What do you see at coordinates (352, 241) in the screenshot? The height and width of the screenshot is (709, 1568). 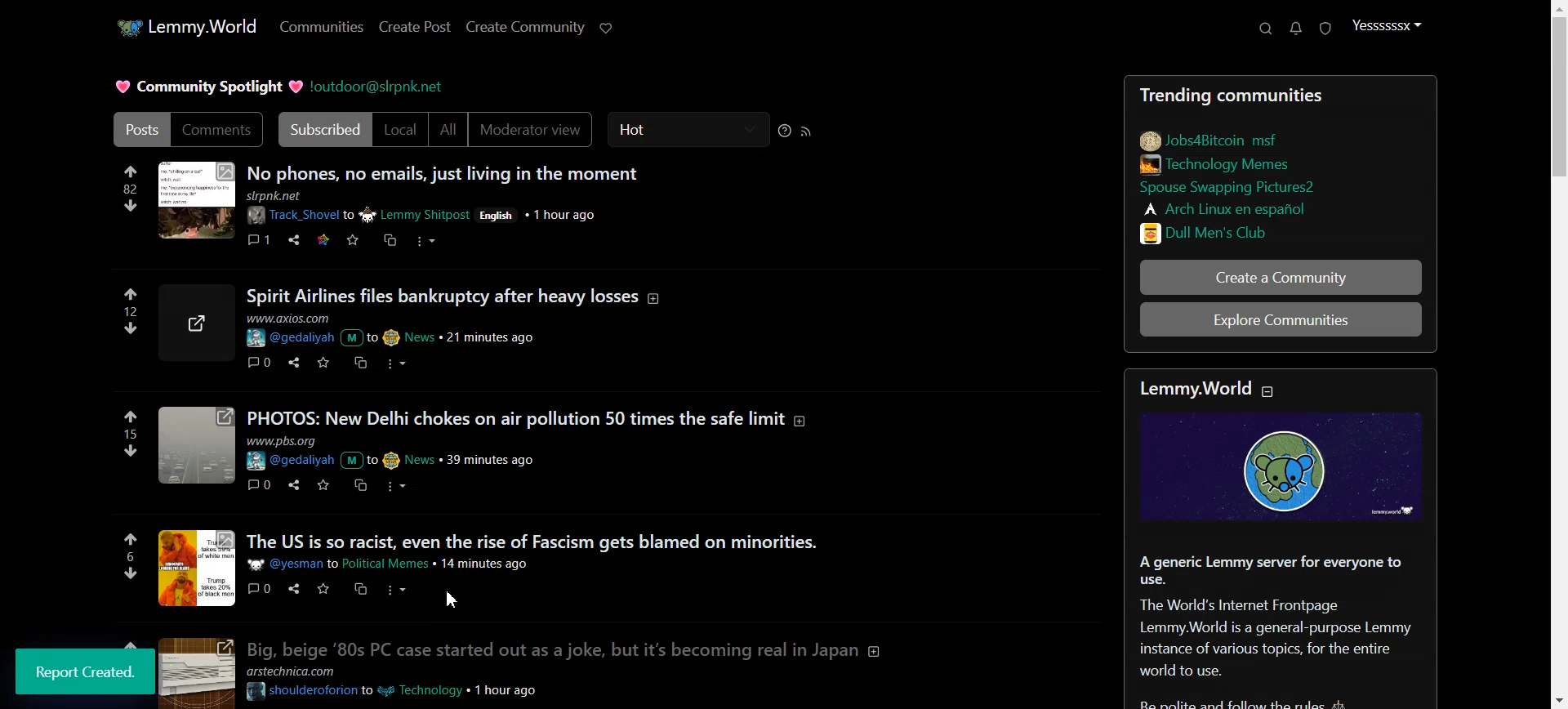 I see `save` at bounding box center [352, 241].